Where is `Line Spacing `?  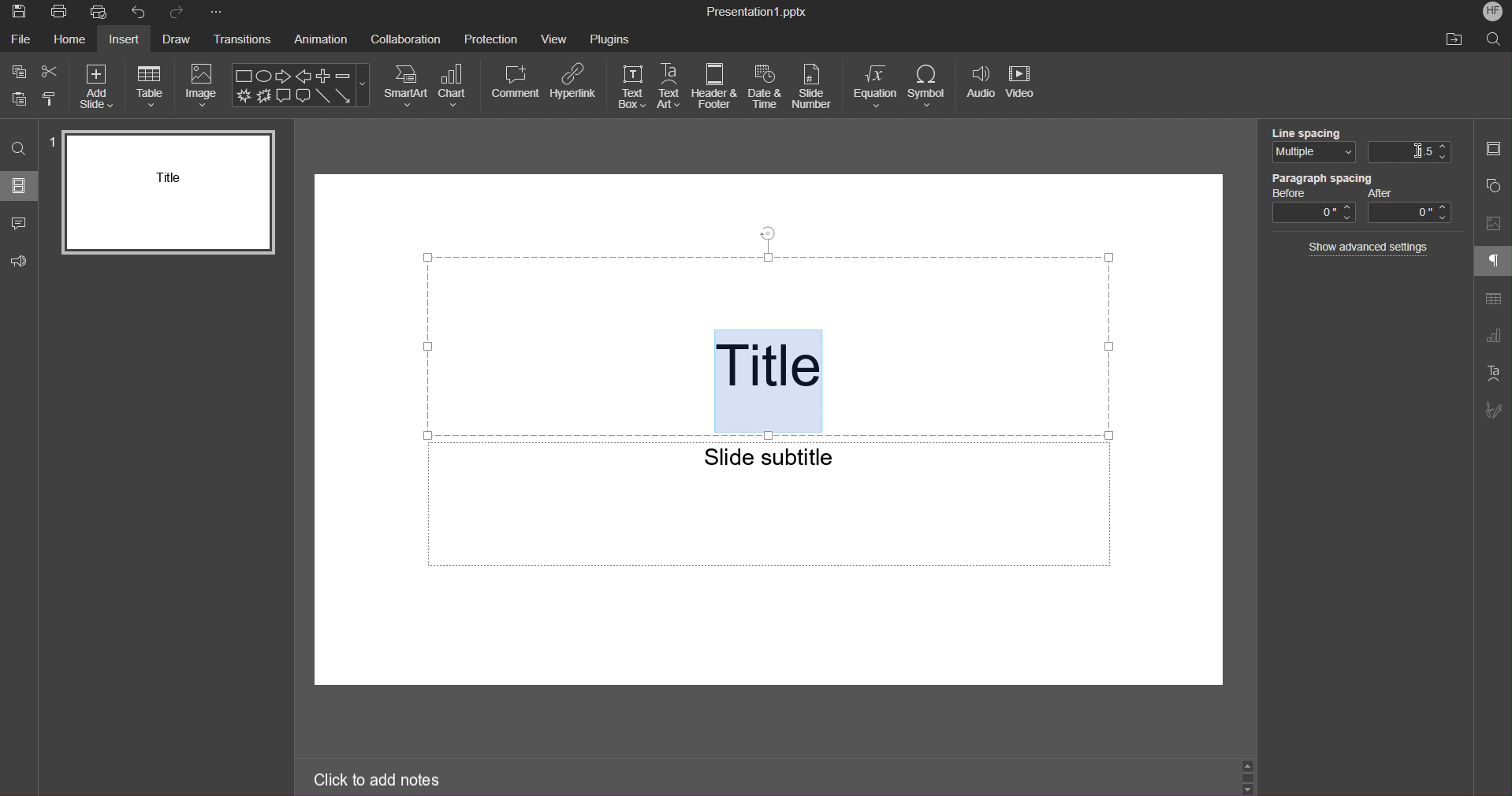 Line Spacing  is located at coordinates (1309, 131).